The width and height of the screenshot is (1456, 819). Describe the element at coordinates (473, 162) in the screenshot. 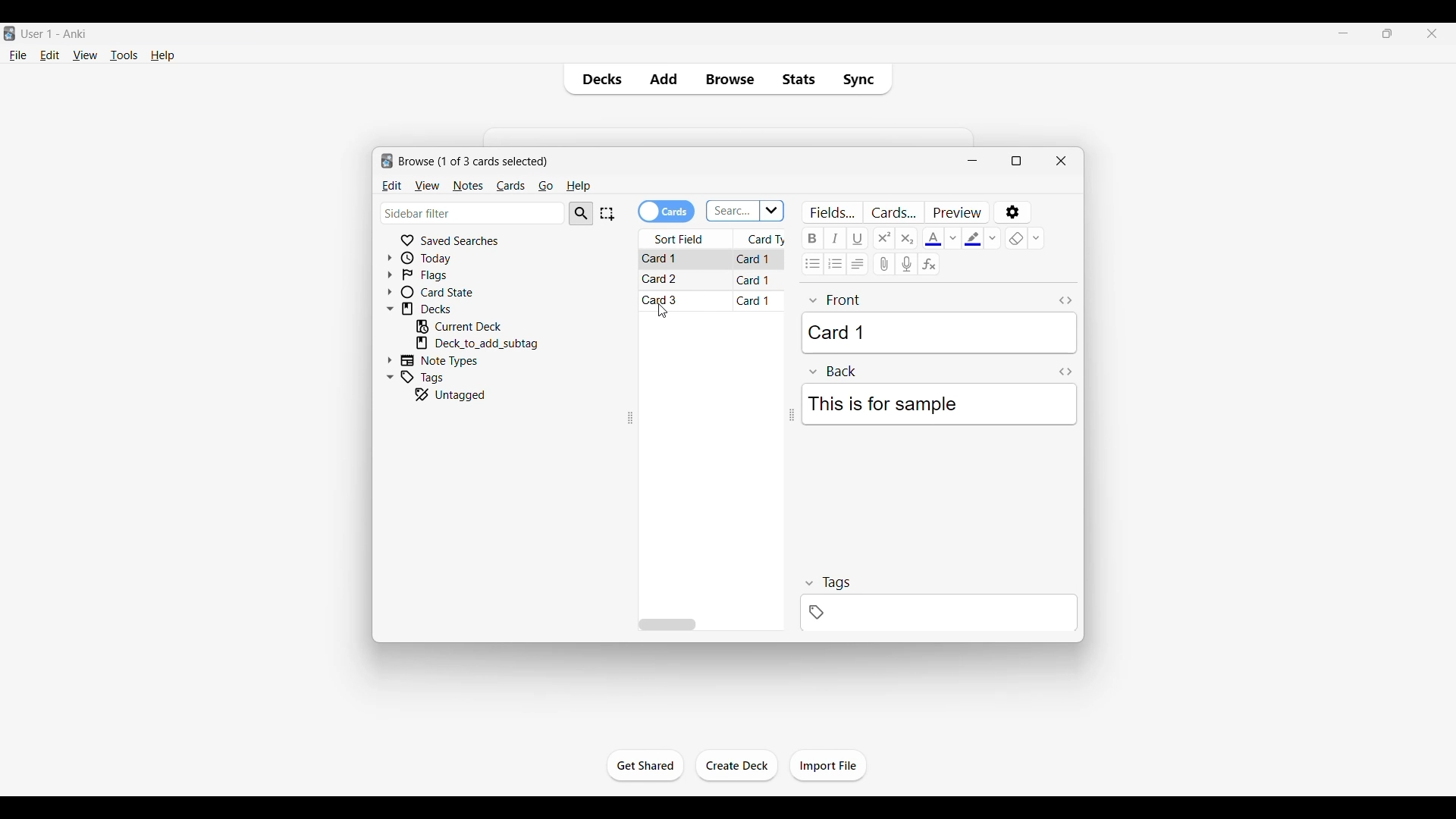

I see `Number of cards to browse and window name` at that location.